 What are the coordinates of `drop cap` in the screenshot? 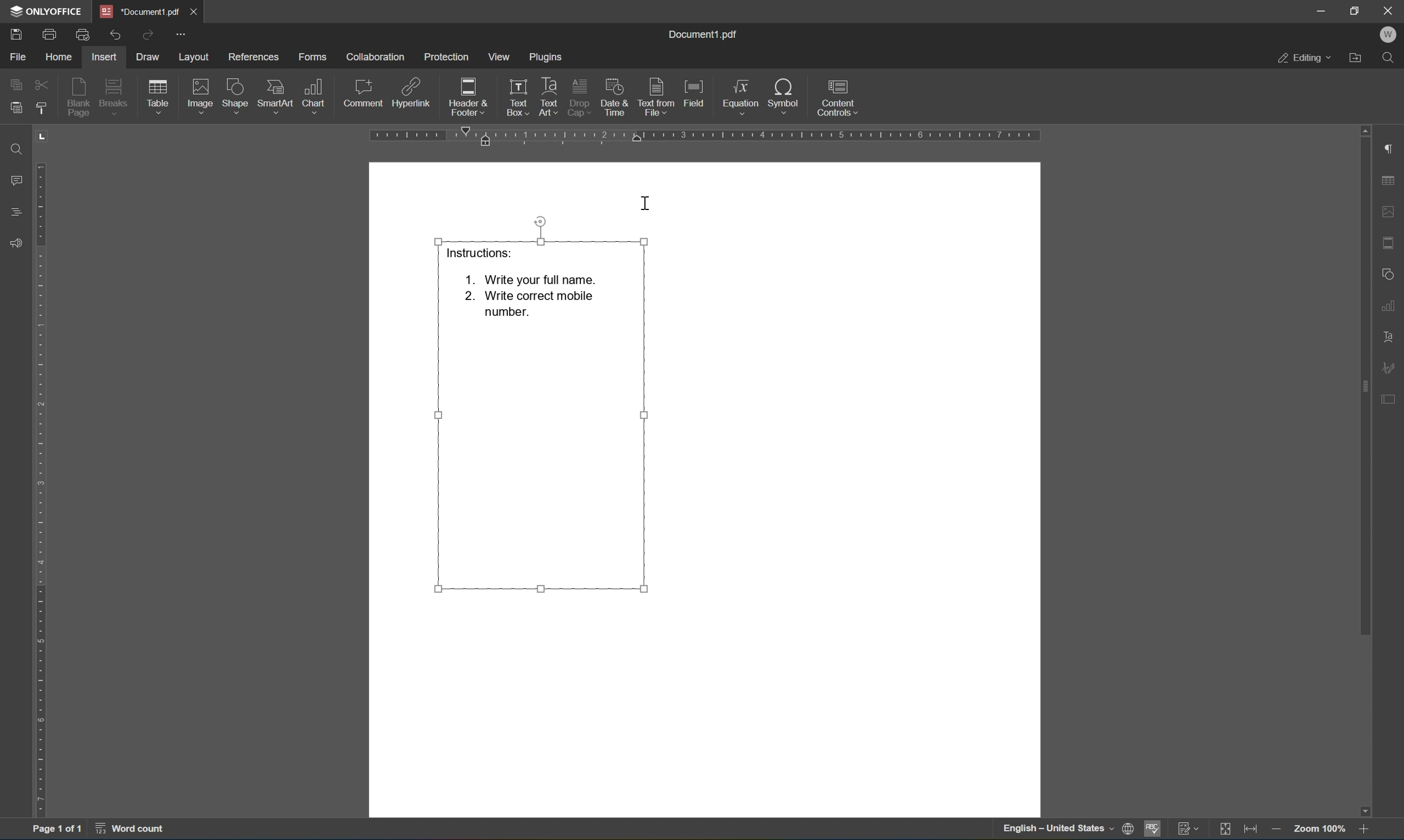 It's located at (579, 96).